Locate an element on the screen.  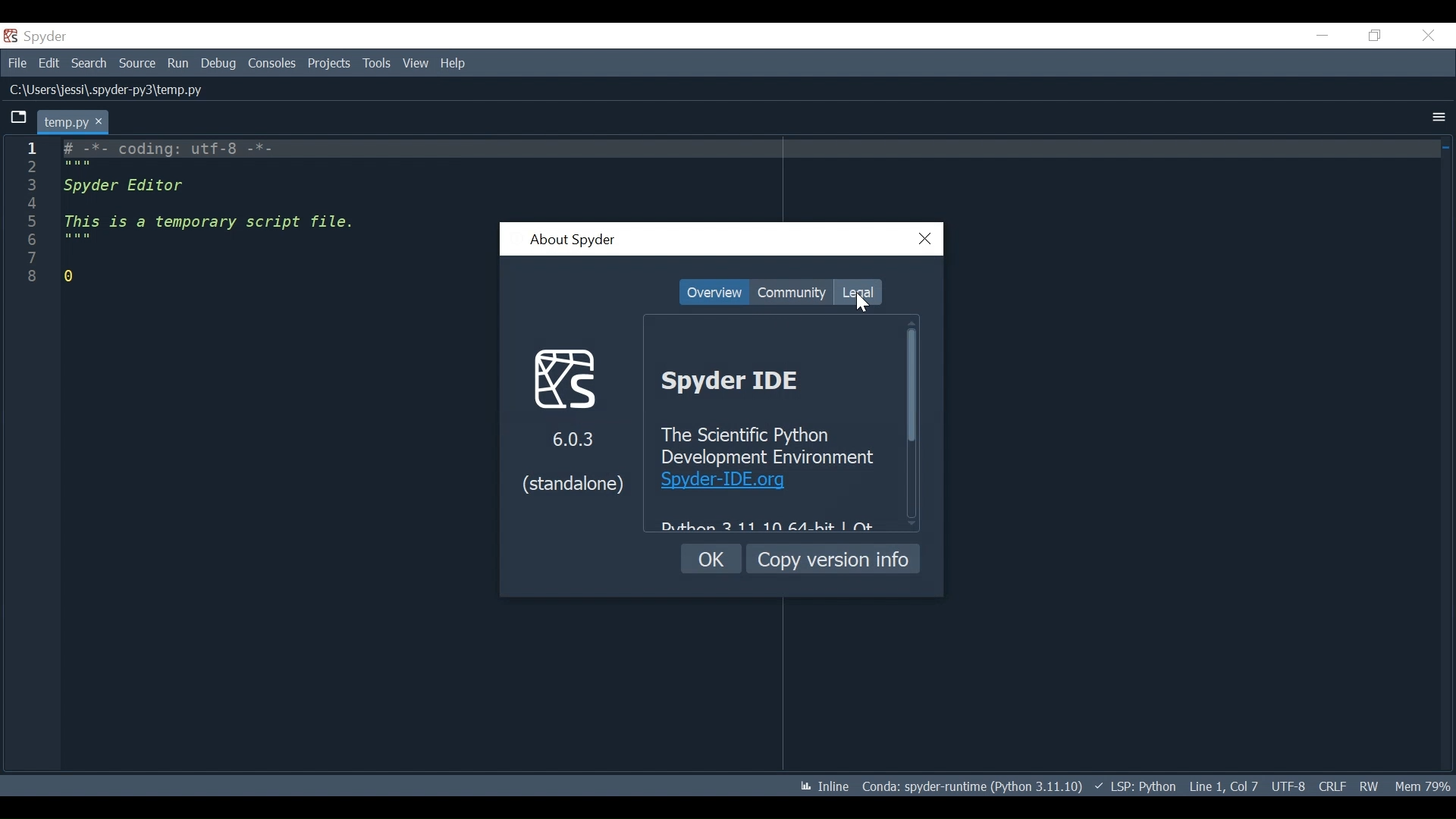
Run is located at coordinates (179, 64).